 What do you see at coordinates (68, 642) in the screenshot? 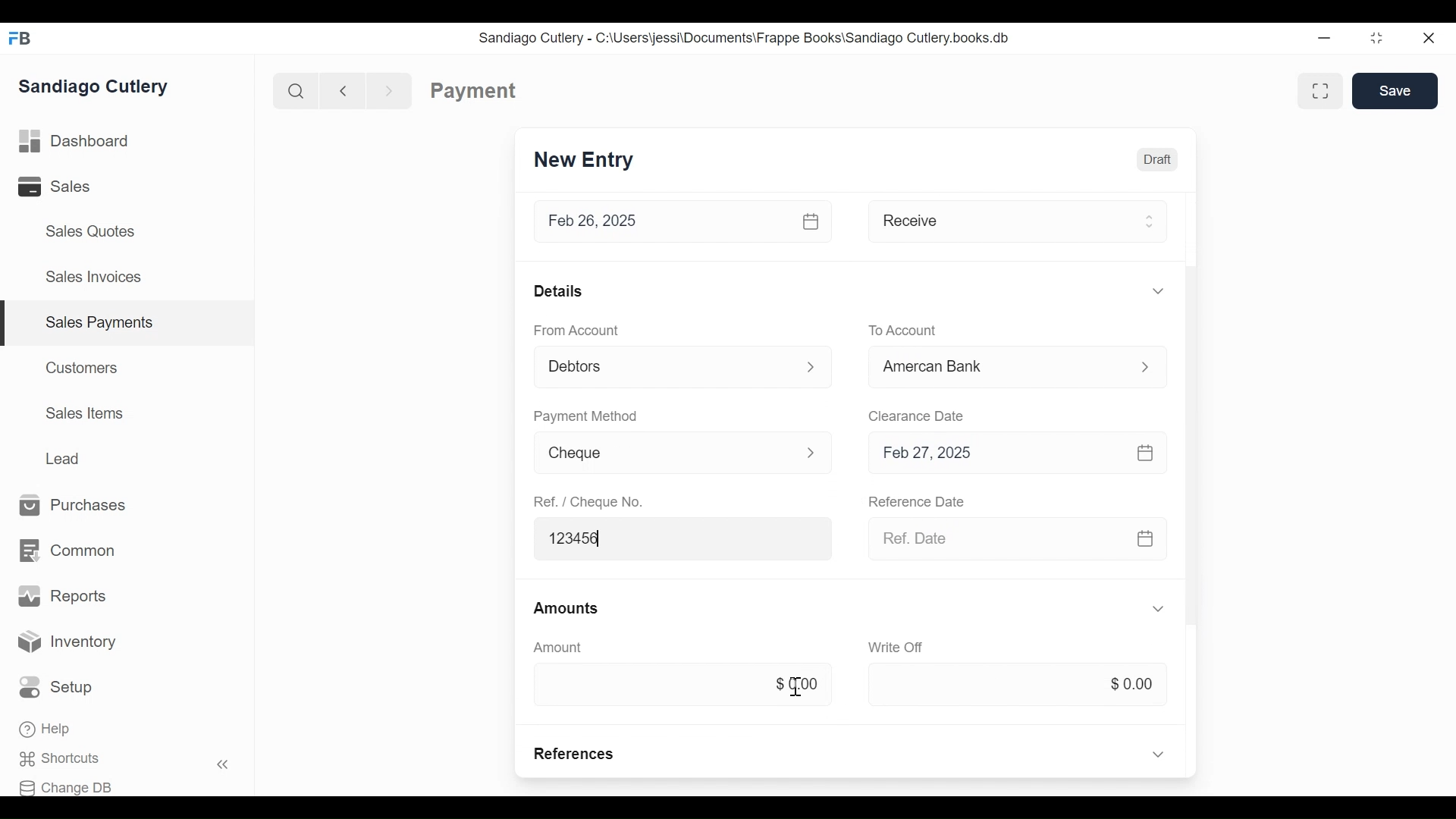
I see `Inventory` at bounding box center [68, 642].